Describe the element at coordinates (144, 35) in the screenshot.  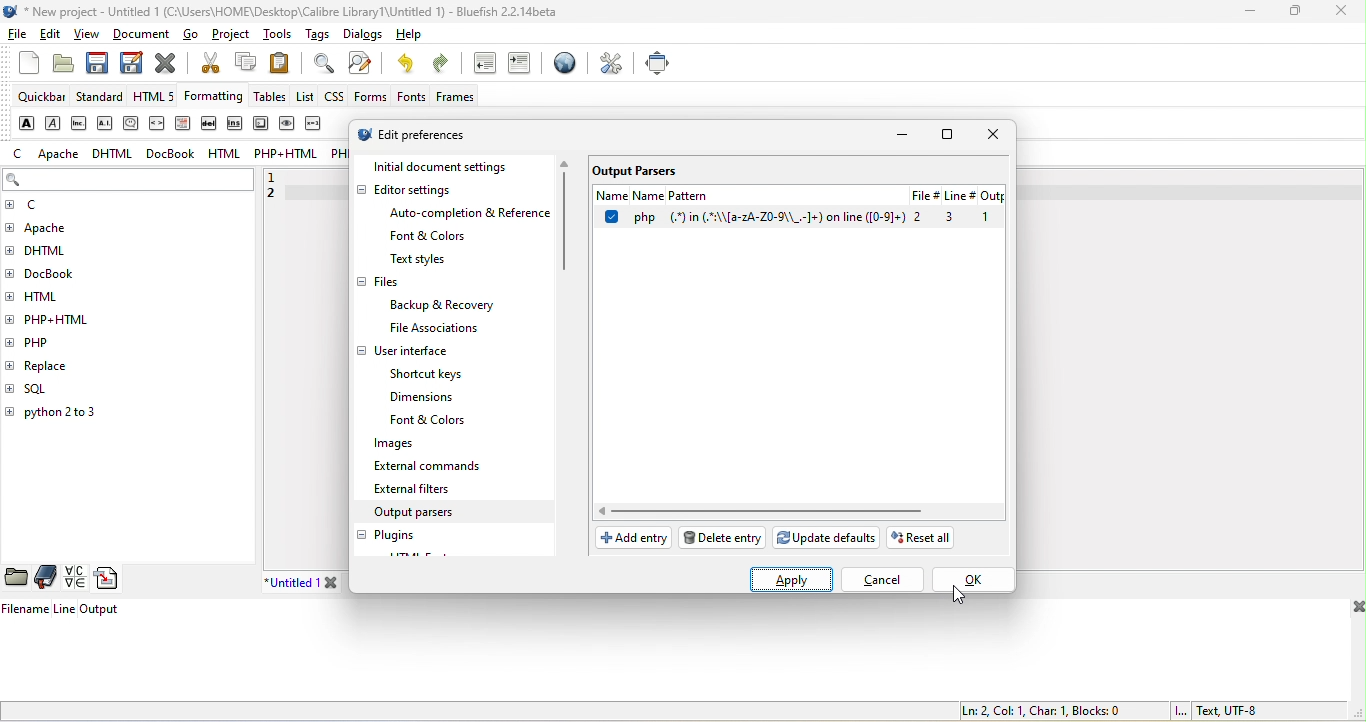
I see `document` at that location.